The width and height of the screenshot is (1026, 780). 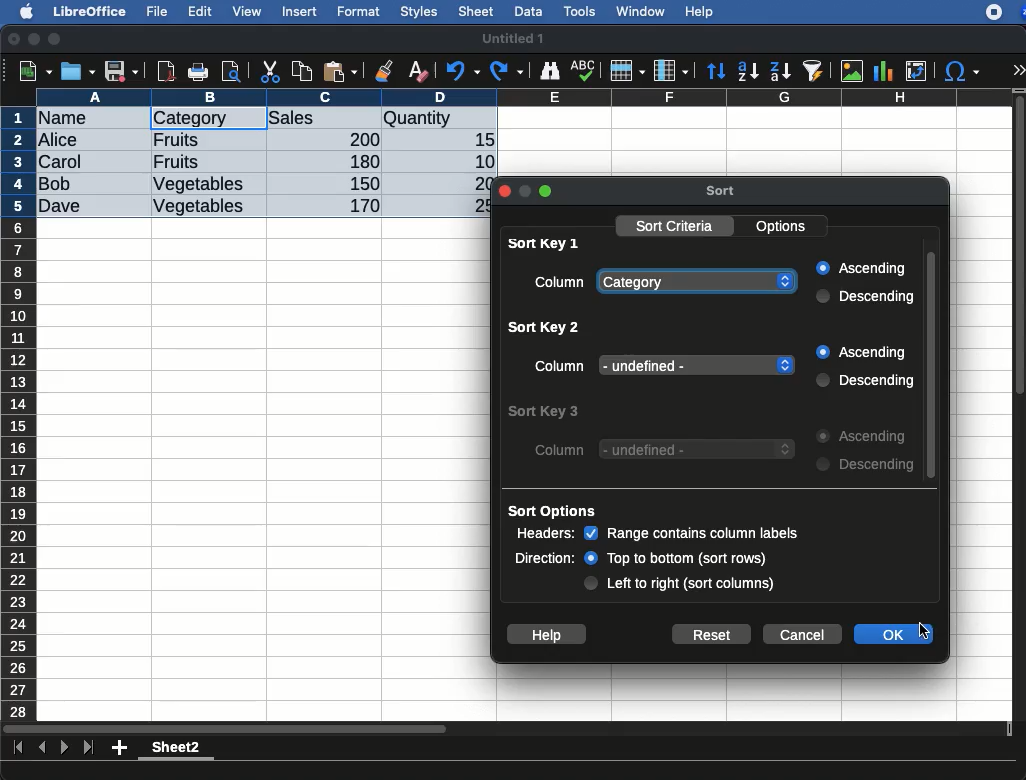 What do you see at coordinates (854, 71) in the screenshot?
I see `image` at bounding box center [854, 71].